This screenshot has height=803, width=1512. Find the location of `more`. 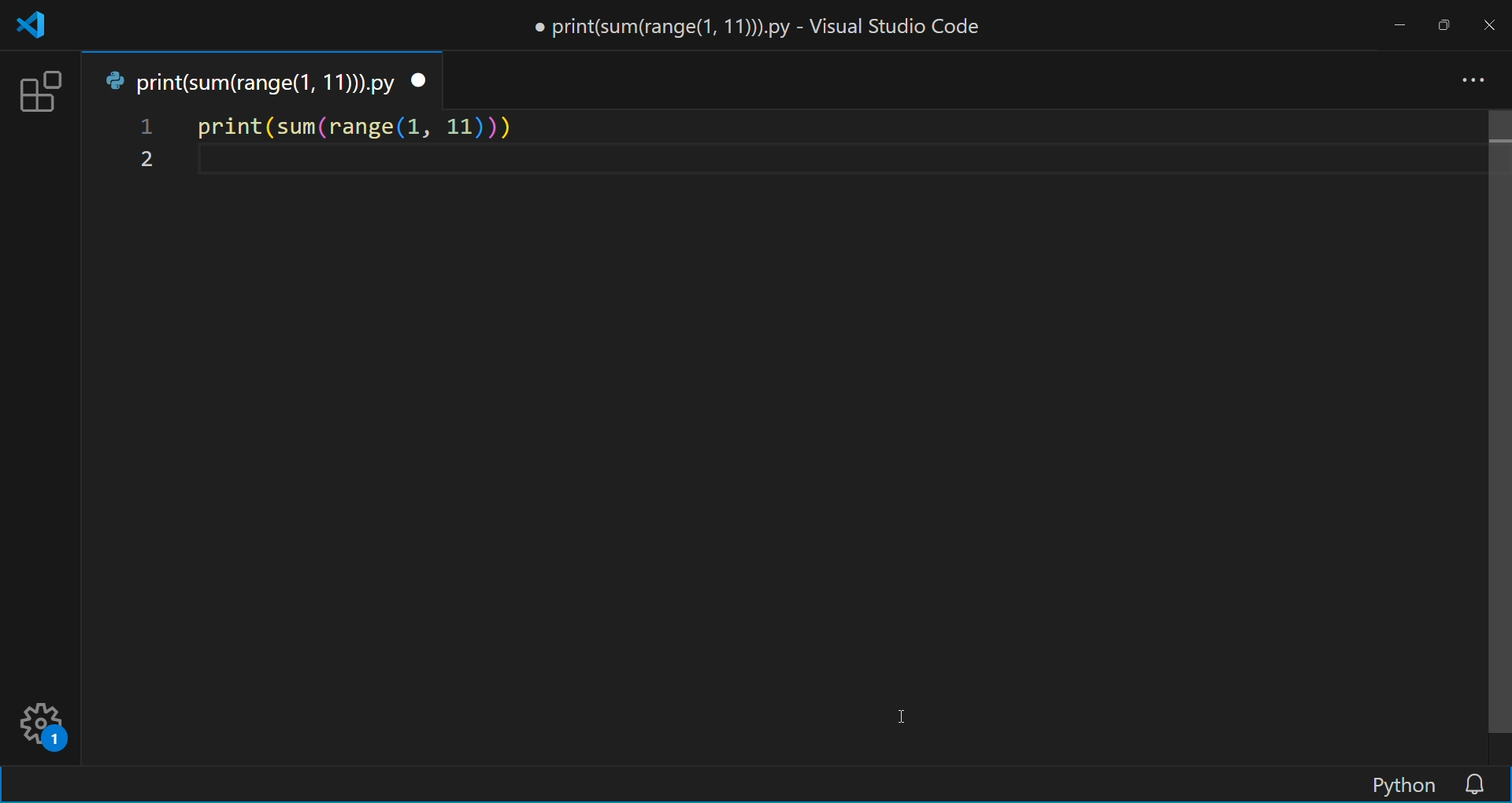

more is located at coordinates (1475, 82).